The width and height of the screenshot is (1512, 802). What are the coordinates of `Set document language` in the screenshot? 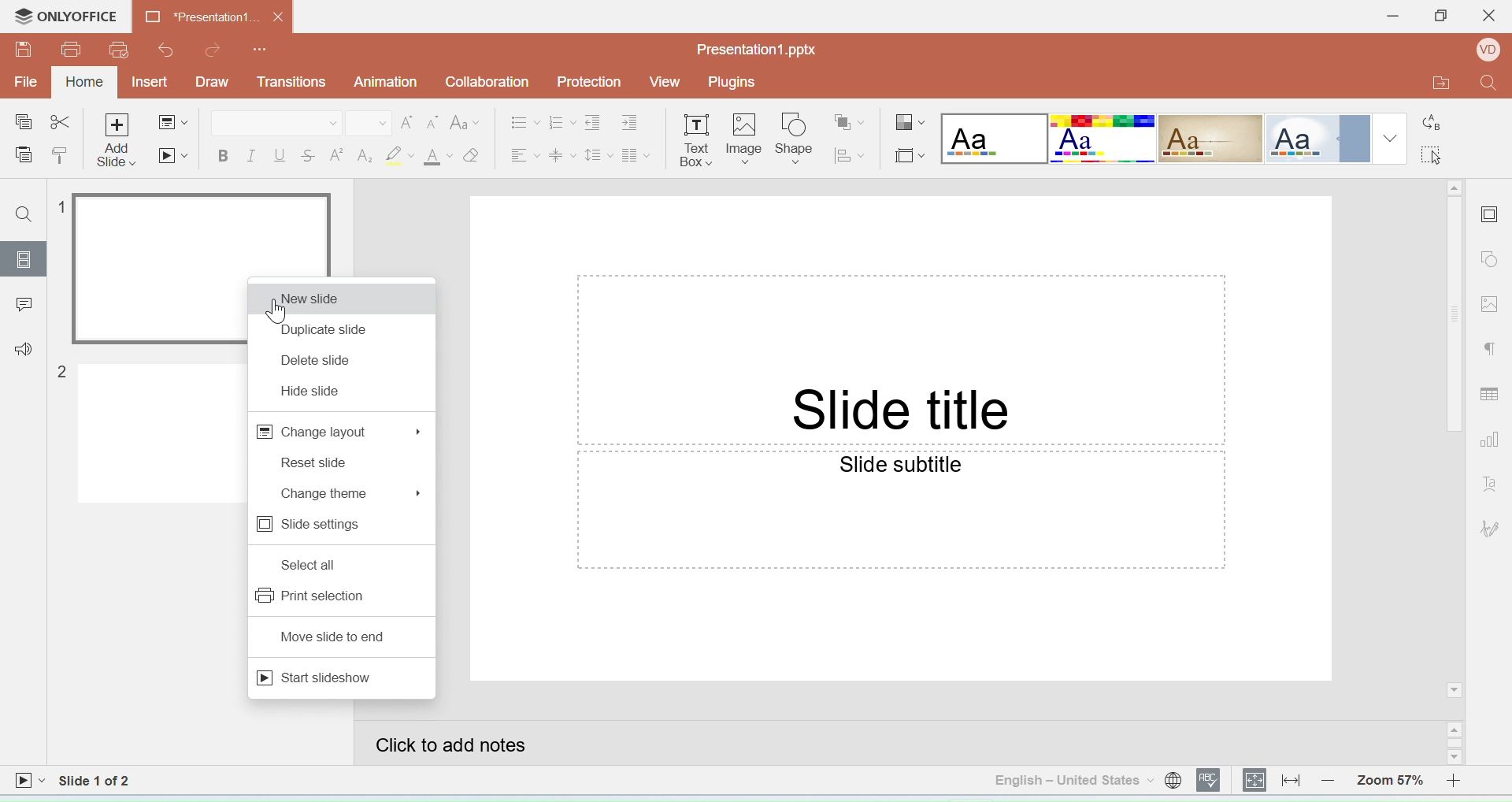 It's located at (1173, 780).